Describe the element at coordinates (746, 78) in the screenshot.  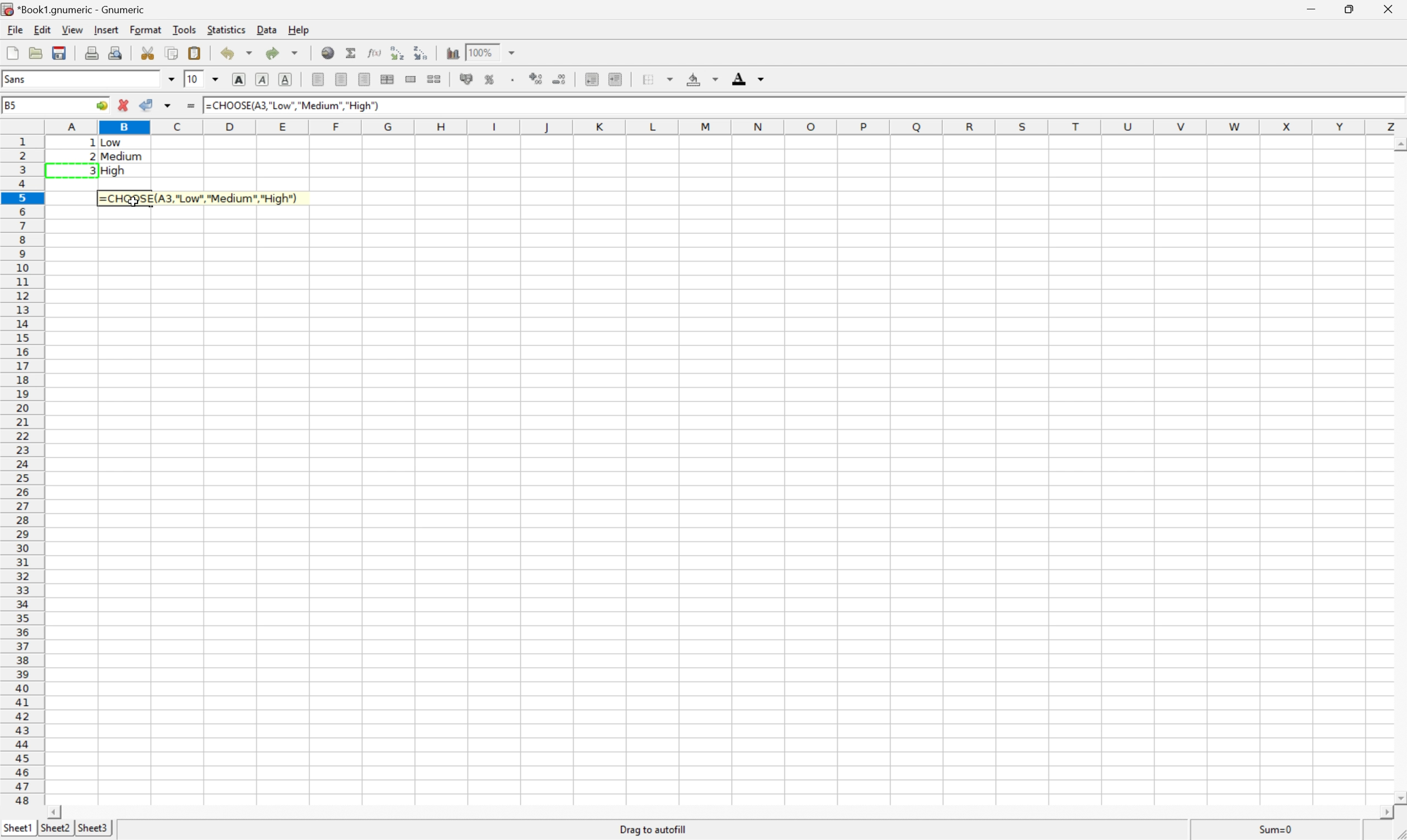
I see `Foreground` at that location.